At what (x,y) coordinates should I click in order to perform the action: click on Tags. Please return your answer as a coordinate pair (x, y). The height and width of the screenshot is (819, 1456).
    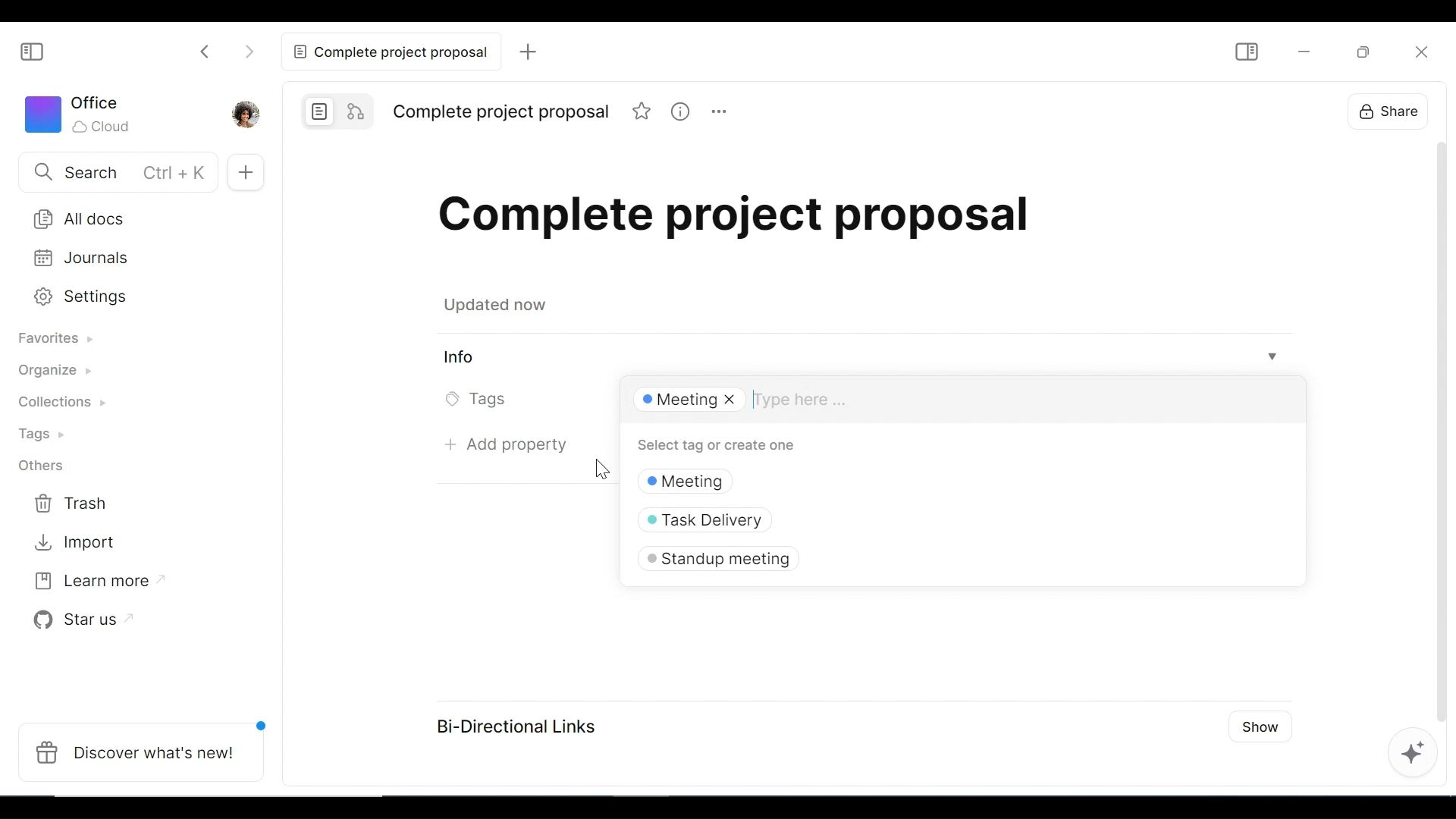
    Looking at the image, I should click on (49, 436).